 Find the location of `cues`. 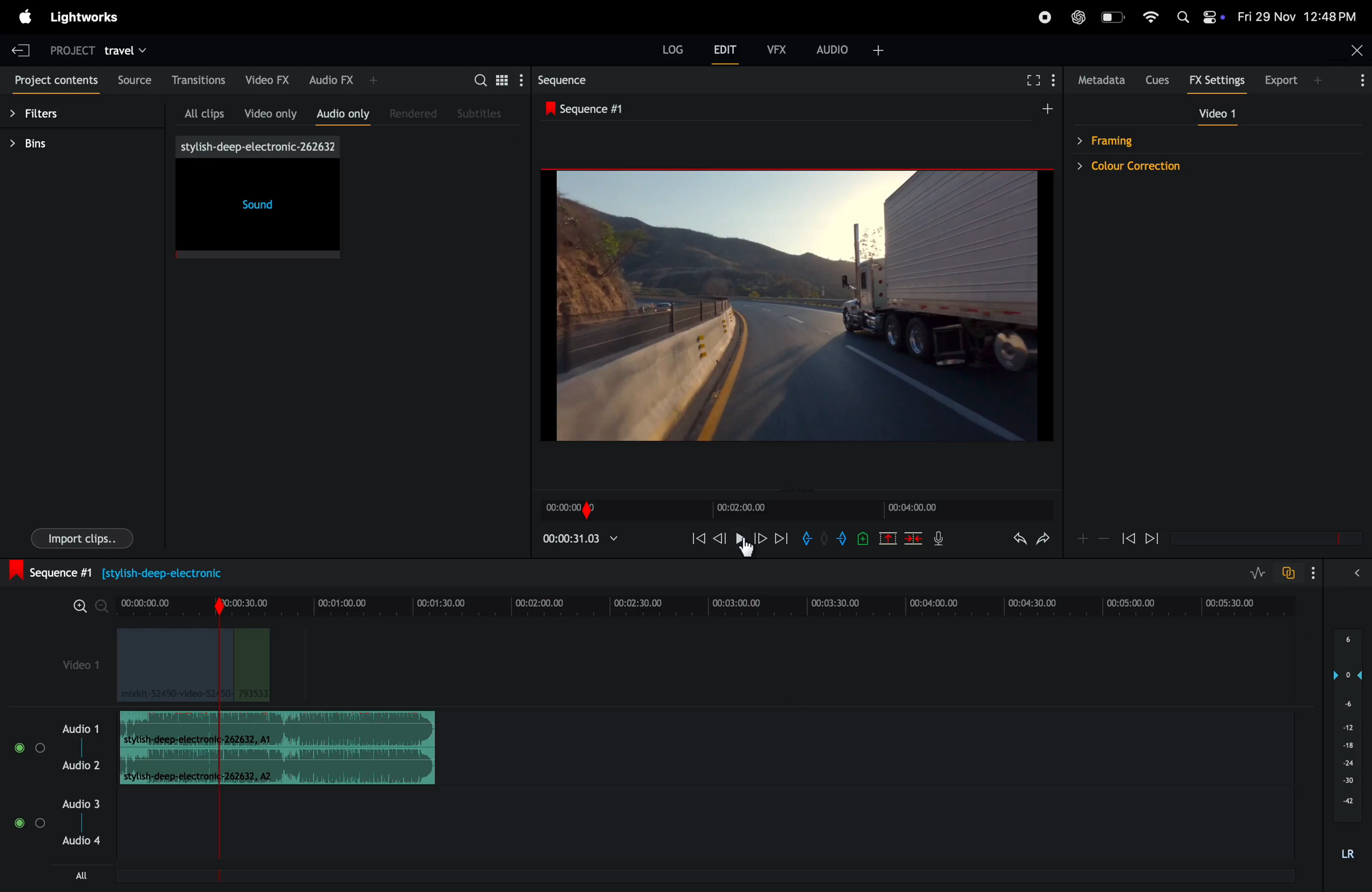

cues is located at coordinates (1160, 80).